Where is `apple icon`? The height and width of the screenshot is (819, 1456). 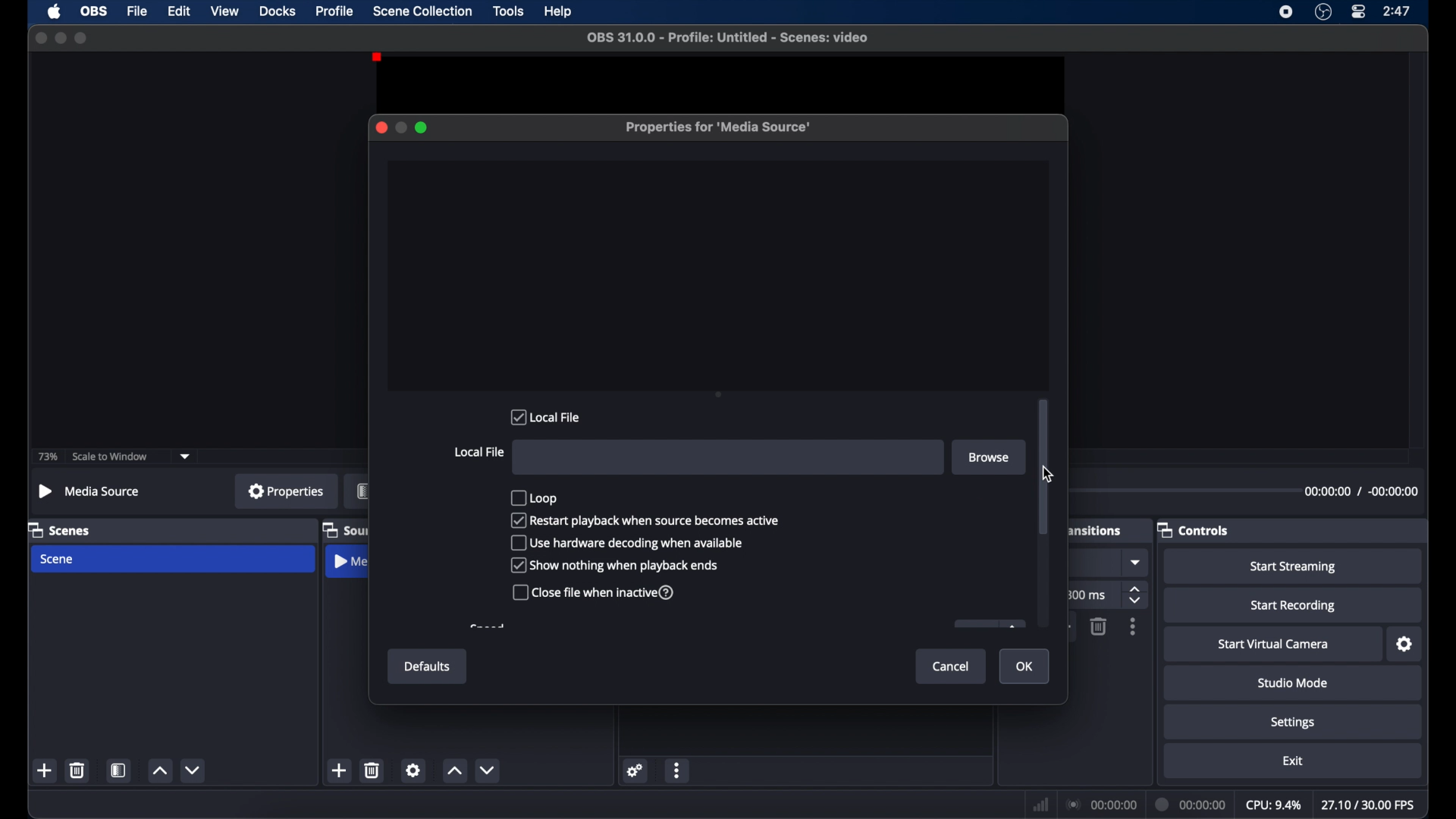
apple icon is located at coordinates (55, 11).